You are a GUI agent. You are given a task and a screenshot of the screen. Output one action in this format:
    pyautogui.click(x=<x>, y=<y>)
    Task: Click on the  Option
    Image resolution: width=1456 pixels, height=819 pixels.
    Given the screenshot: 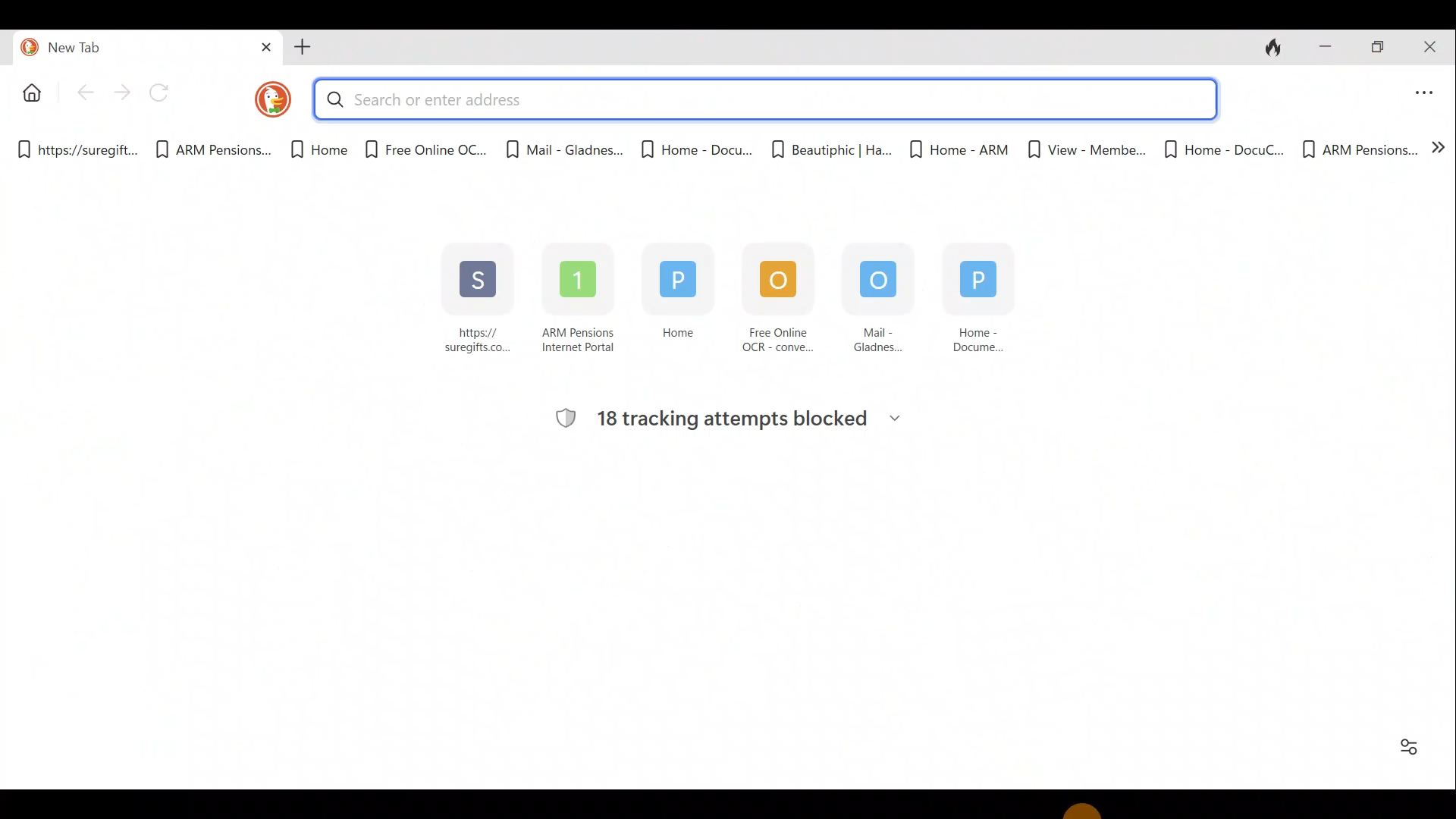 What is the action you would take?
    pyautogui.click(x=1407, y=752)
    